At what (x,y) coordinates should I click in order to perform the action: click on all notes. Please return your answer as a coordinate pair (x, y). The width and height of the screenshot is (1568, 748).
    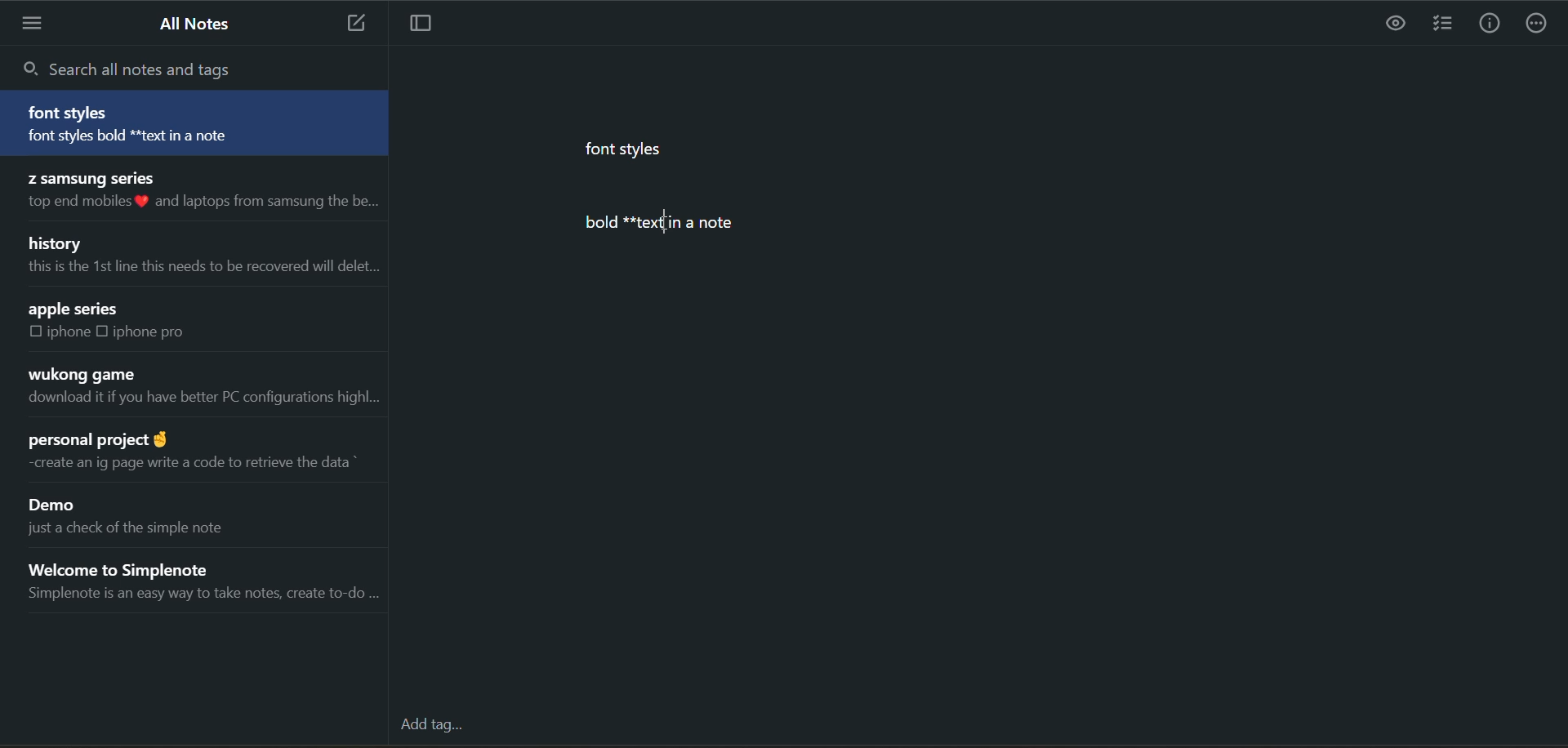
    Looking at the image, I should click on (198, 24).